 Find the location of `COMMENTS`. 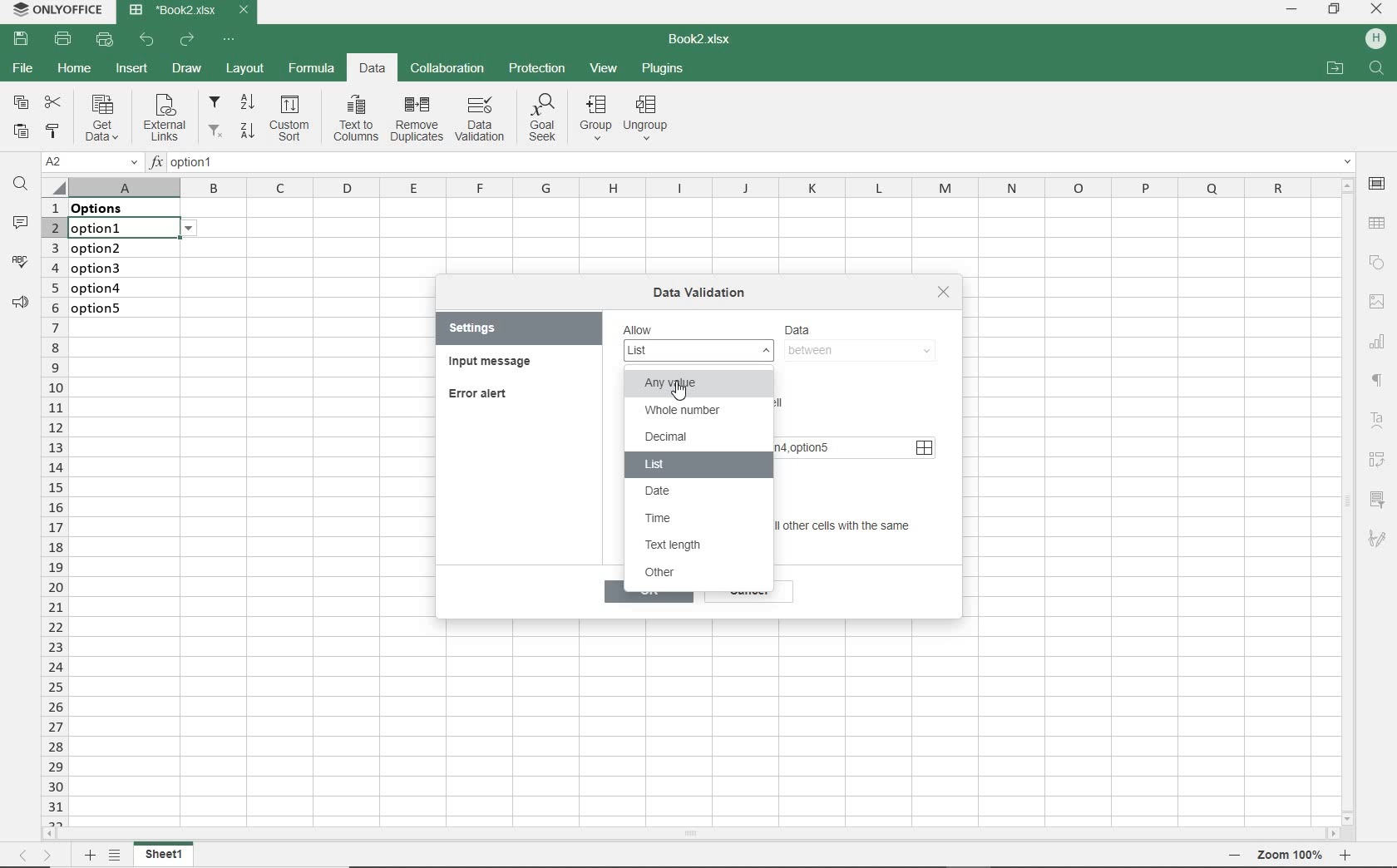

COMMENTS is located at coordinates (21, 223).